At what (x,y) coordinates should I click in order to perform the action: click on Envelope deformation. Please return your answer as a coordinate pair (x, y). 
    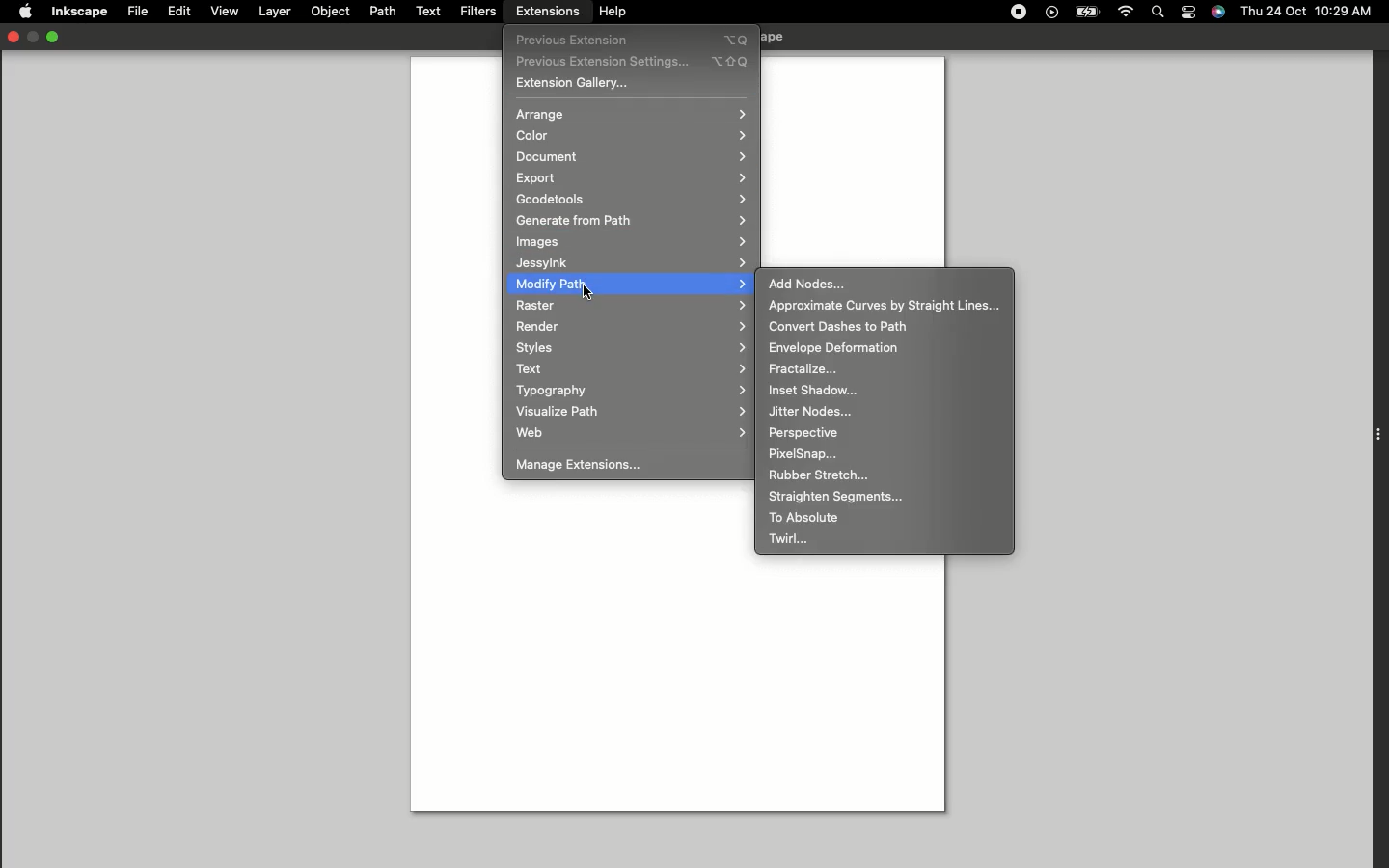
    Looking at the image, I should click on (835, 348).